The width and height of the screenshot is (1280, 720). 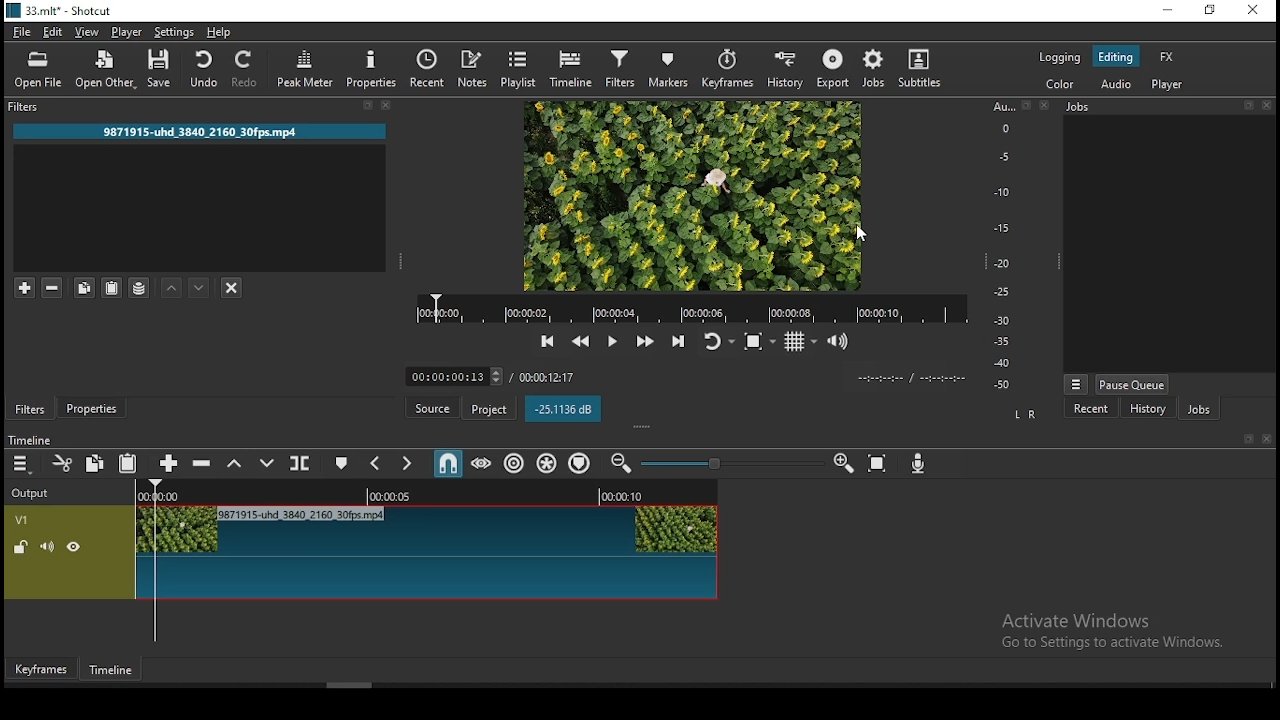 What do you see at coordinates (667, 68) in the screenshot?
I see `markers` at bounding box center [667, 68].